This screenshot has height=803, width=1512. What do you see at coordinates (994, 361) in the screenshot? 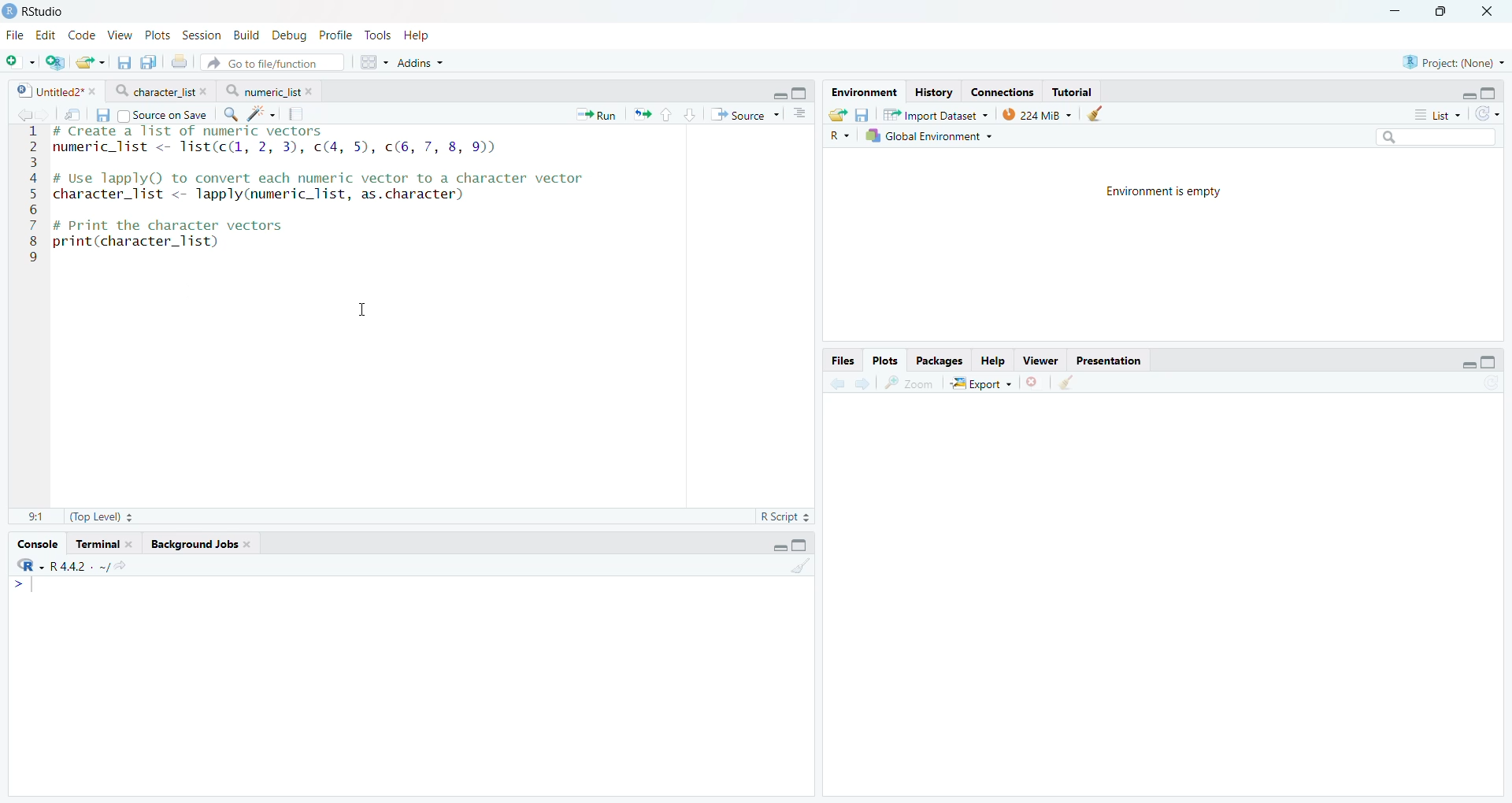
I see `Help` at bounding box center [994, 361].